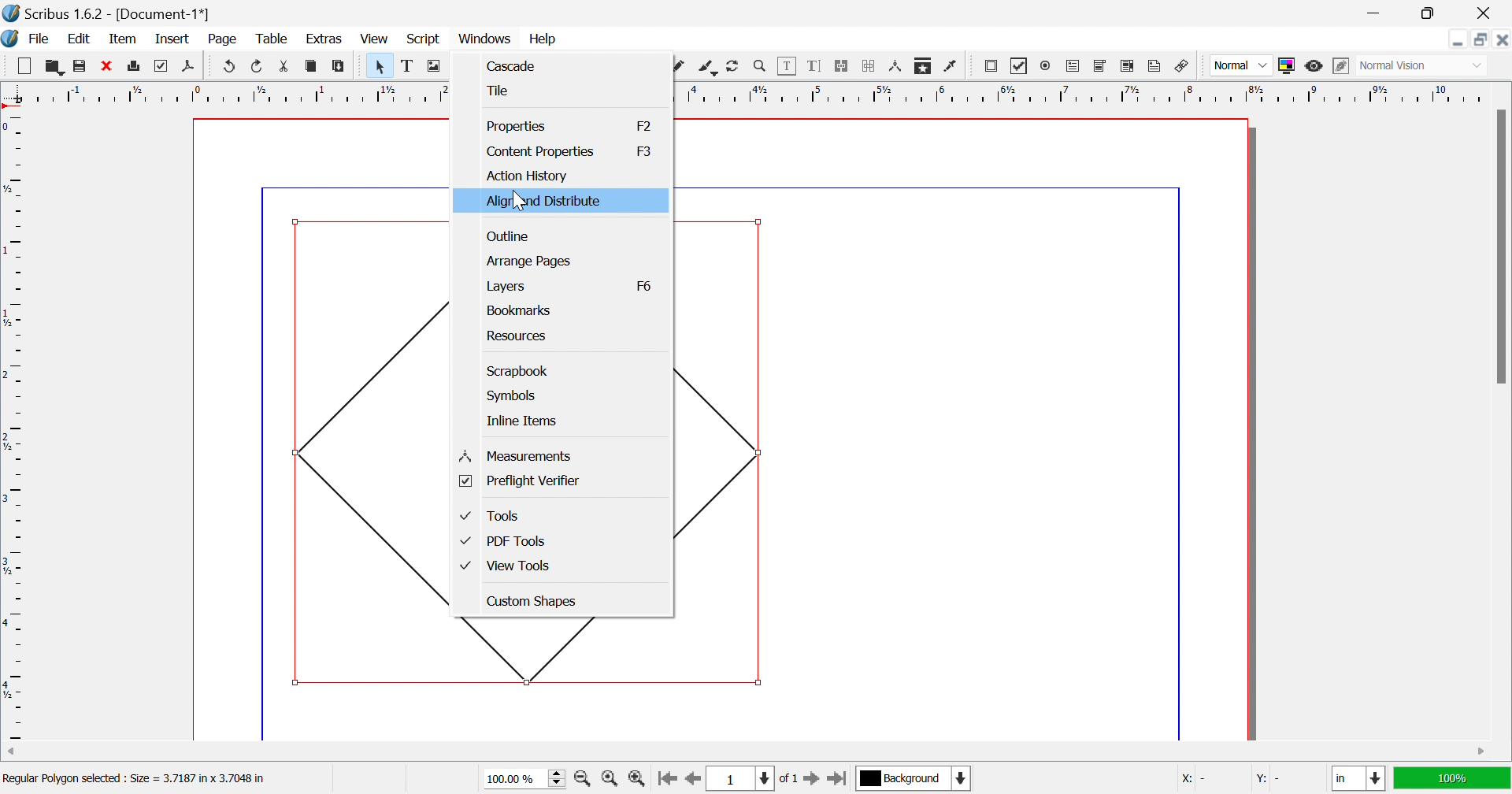 The width and height of the screenshot is (1512, 794). Describe the element at coordinates (813, 65) in the screenshot. I see `Edit text with story editor` at that location.